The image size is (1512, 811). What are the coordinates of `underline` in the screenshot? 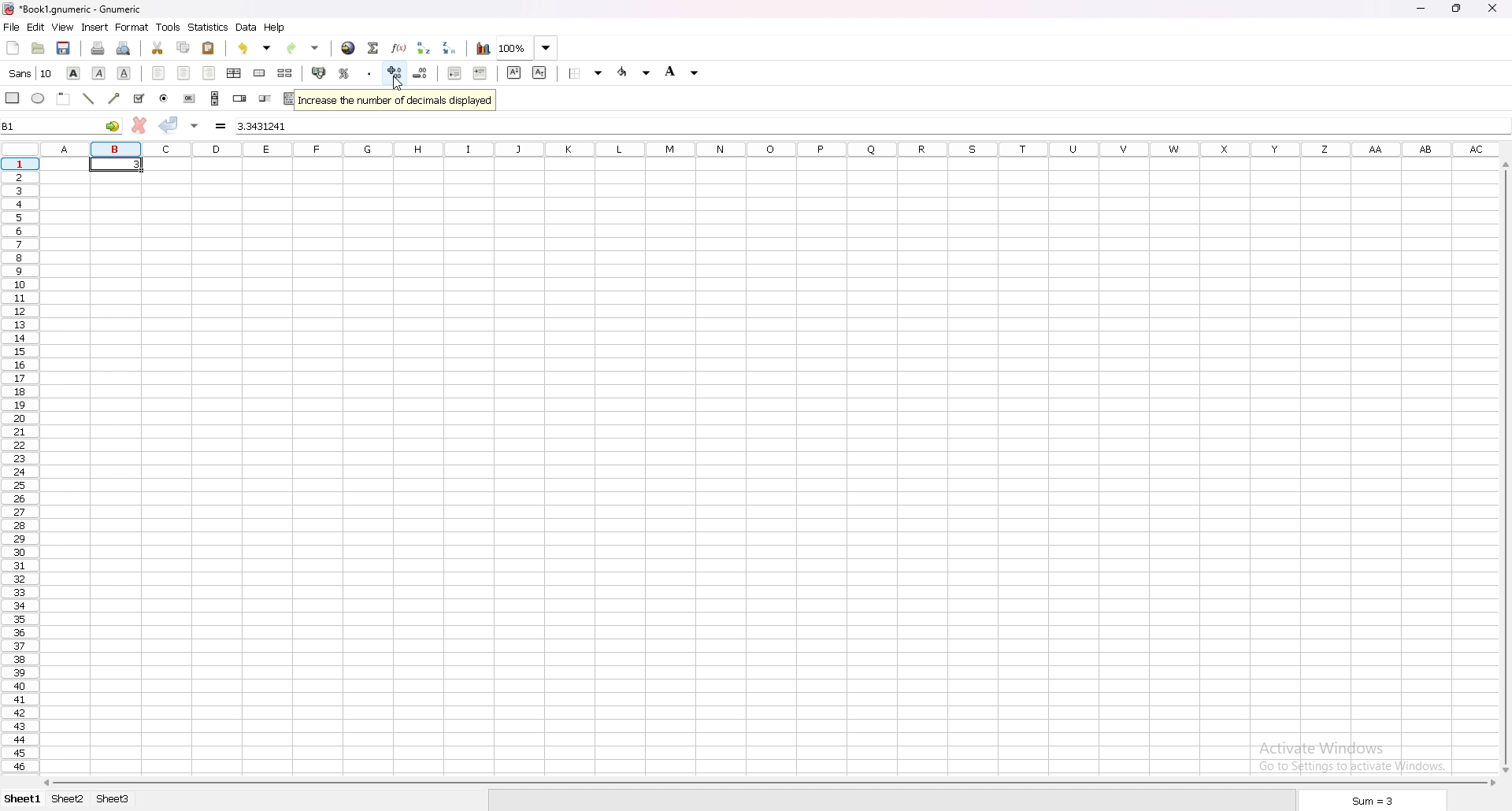 It's located at (124, 74).